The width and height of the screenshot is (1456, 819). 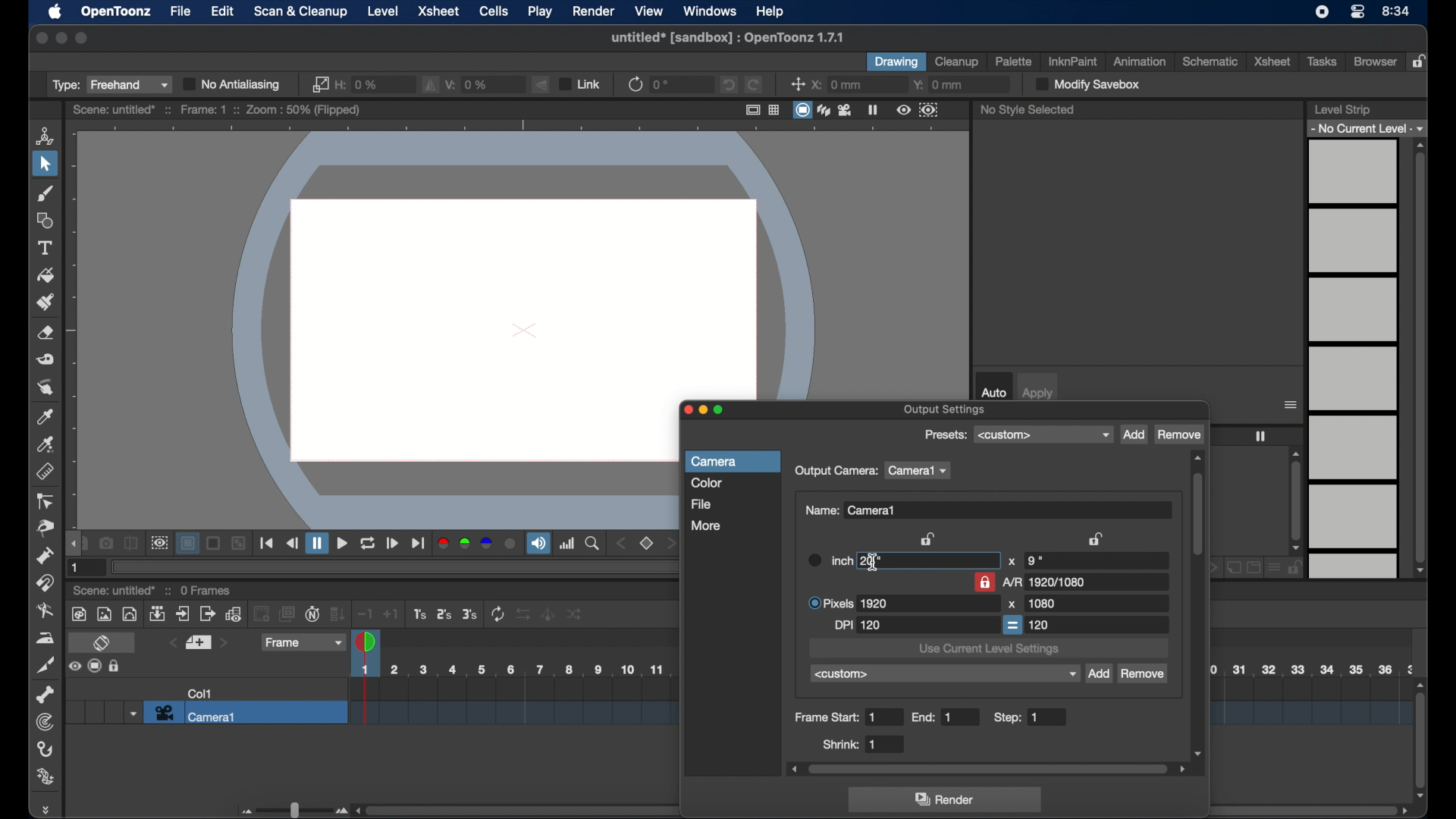 I want to click on more options, so click(x=1291, y=405).